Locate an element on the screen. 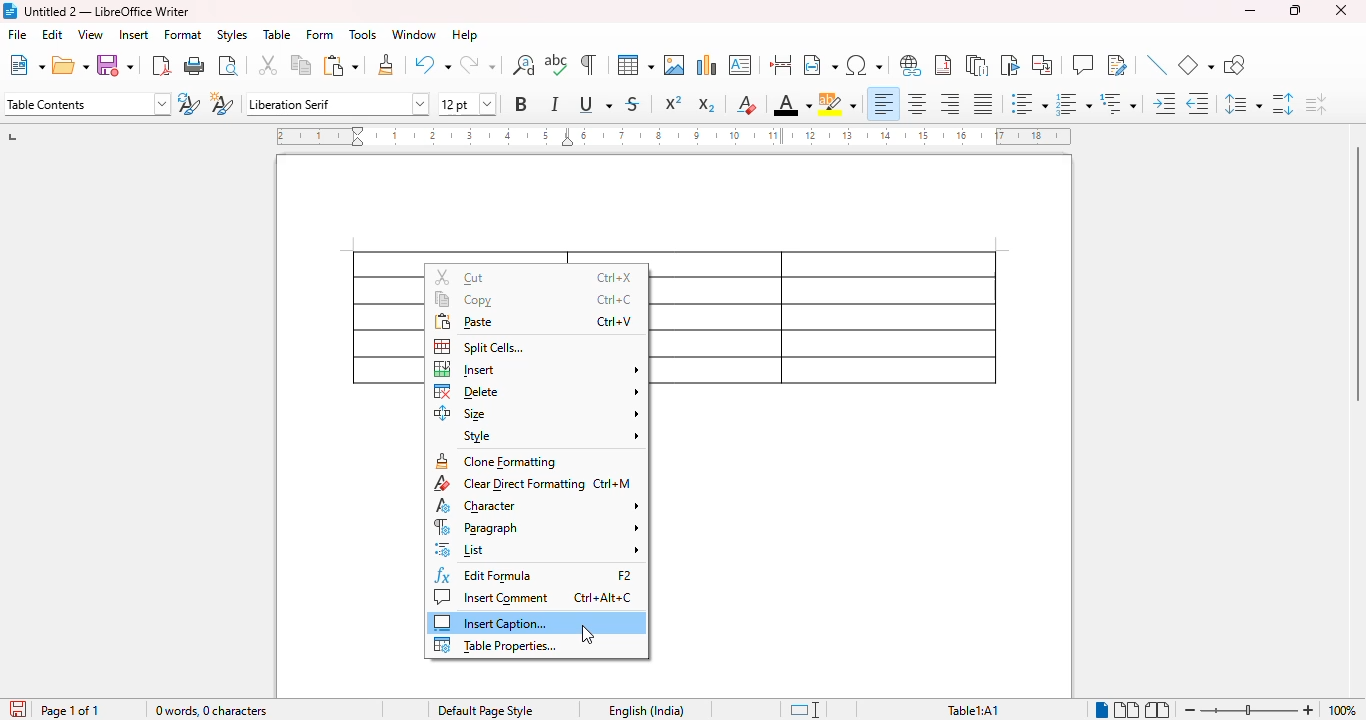  copy is located at coordinates (533, 299).